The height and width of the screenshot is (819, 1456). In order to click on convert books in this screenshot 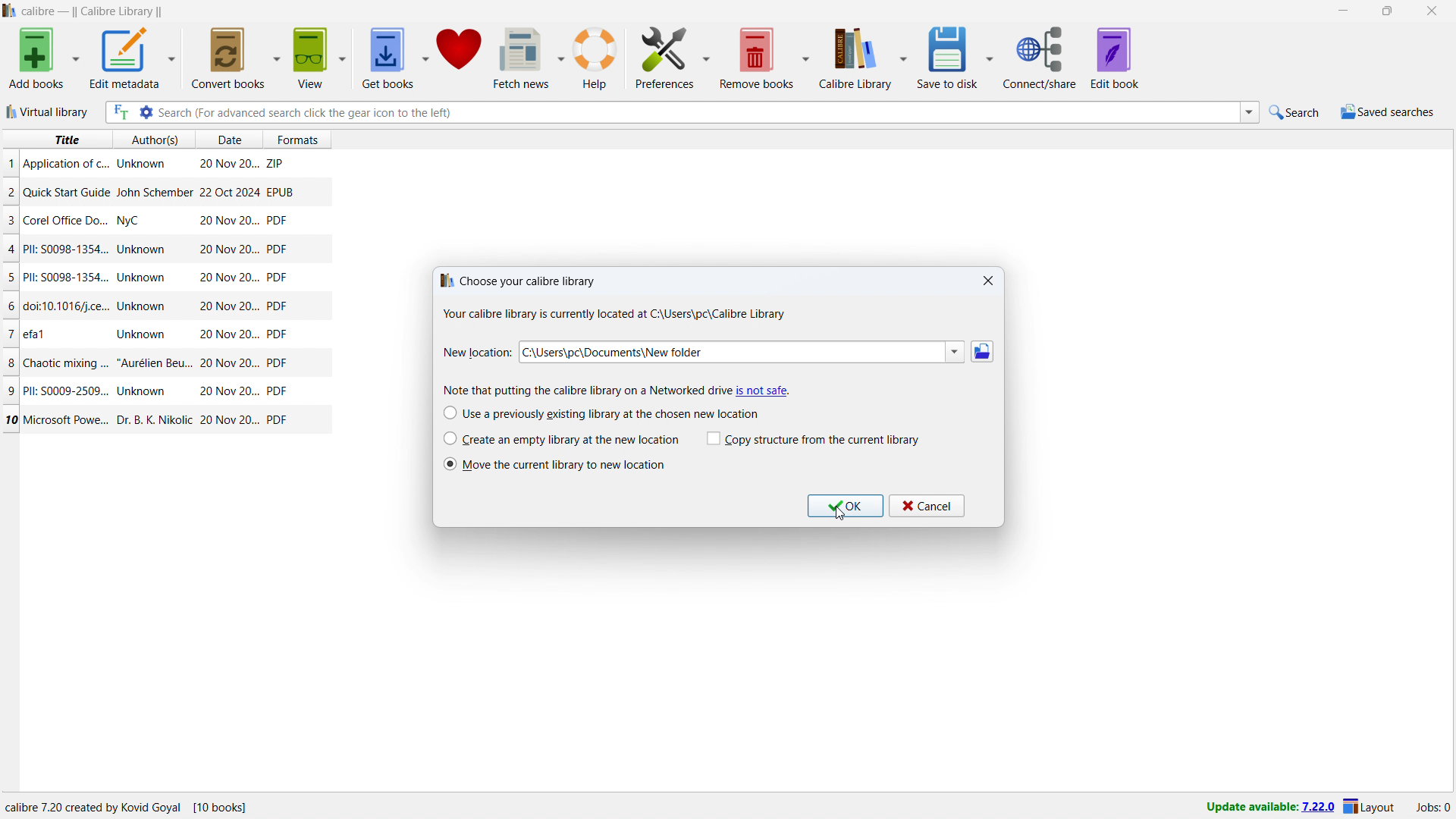, I will do `click(229, 57)`.